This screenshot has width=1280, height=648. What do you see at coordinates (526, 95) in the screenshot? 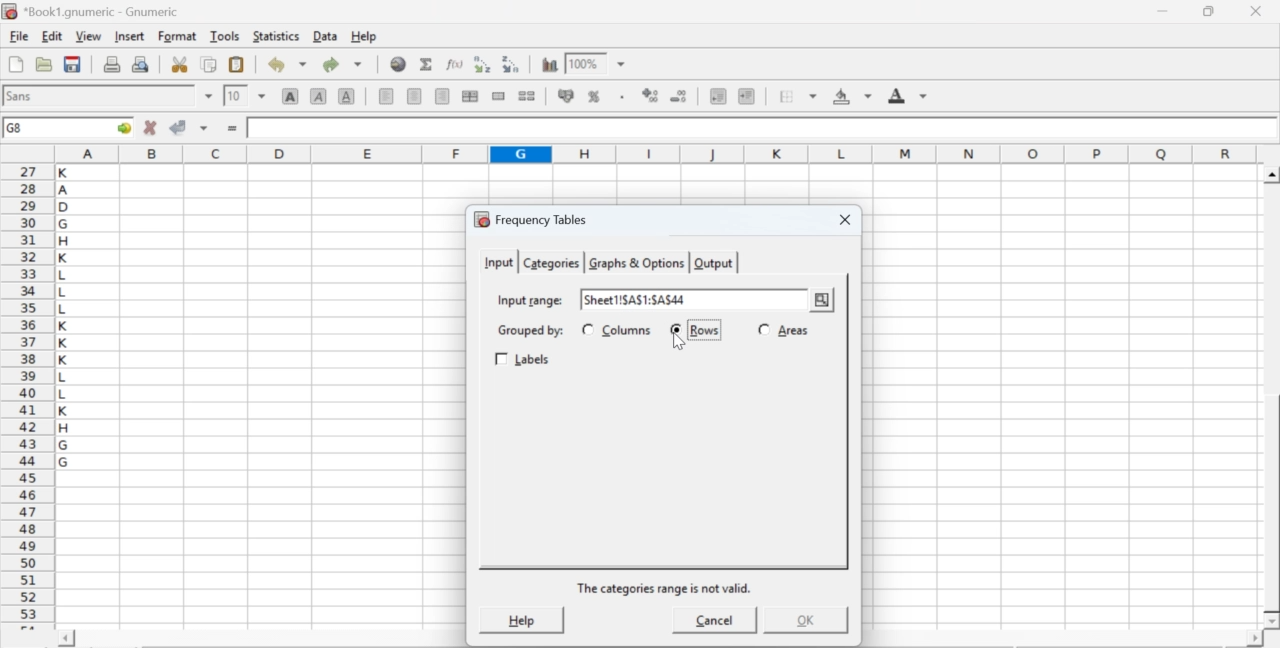
I see `split merged ranges of cells` at bounding box center [526, 95].